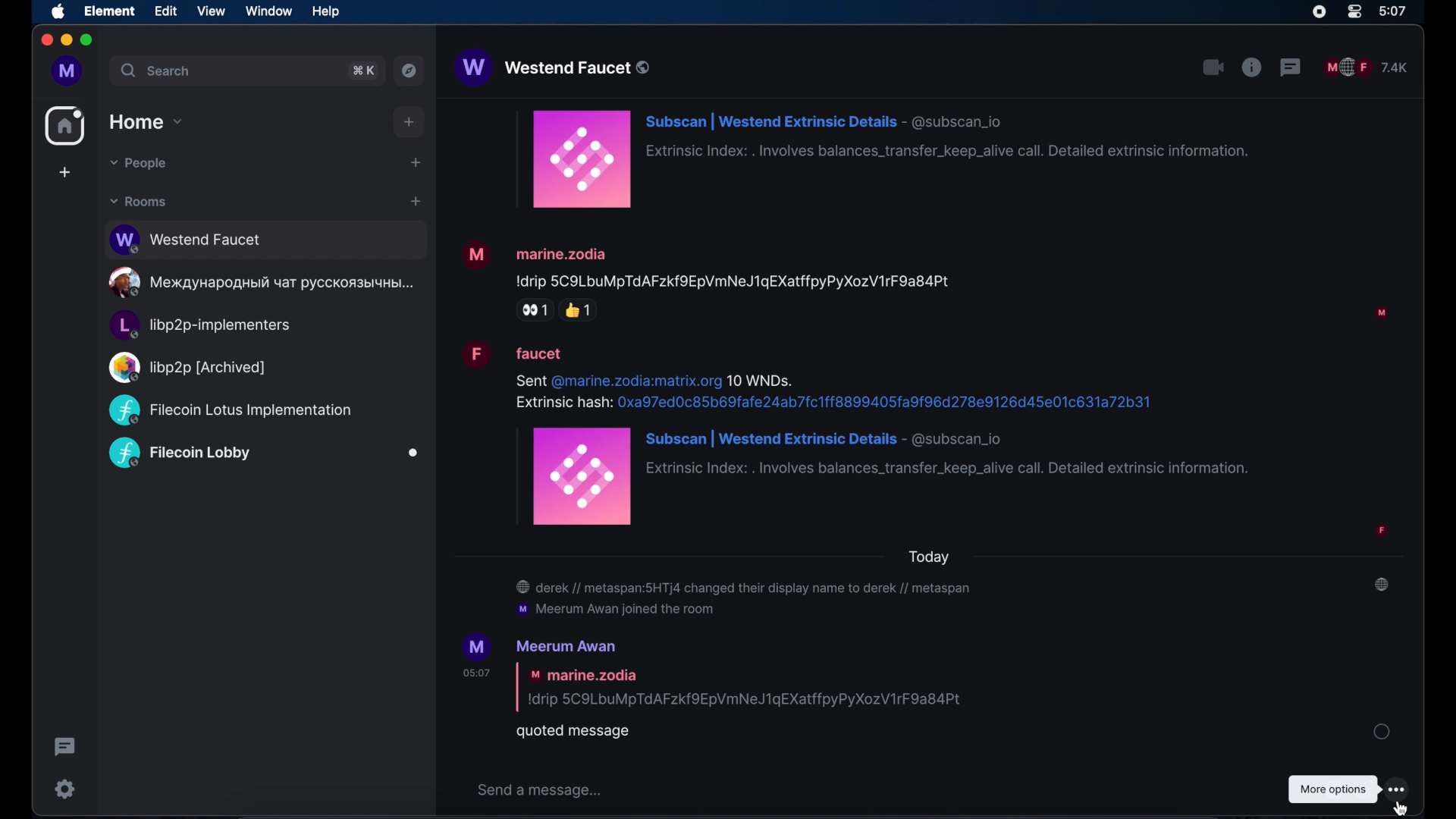 This screenshot has width=1456, height=819. Describe the element at coordinates (264, 283) in the screenshot. I see `public room` at that location.